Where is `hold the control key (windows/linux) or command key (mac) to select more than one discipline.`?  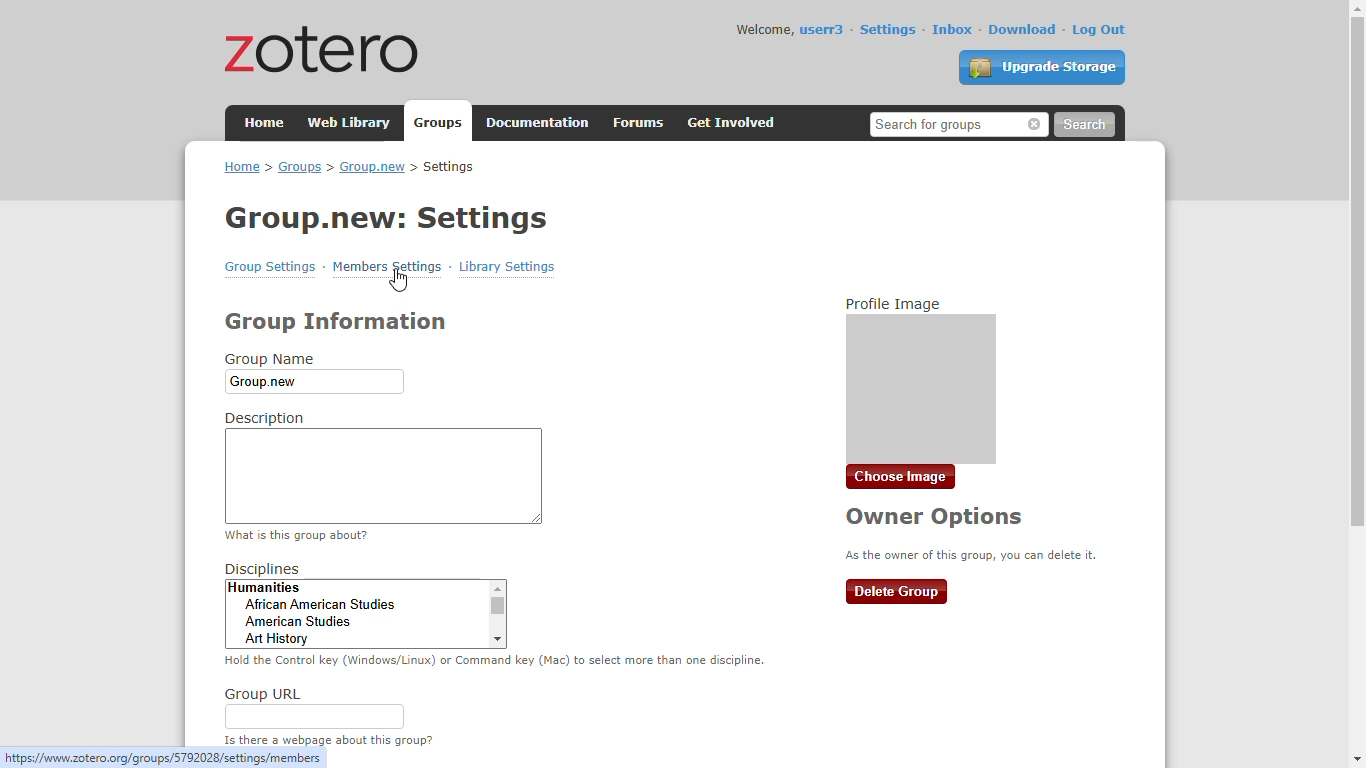 hold the control key (windows/linux) or command key (mac) to select more than one discipline. is located at coordinates (495, 660).